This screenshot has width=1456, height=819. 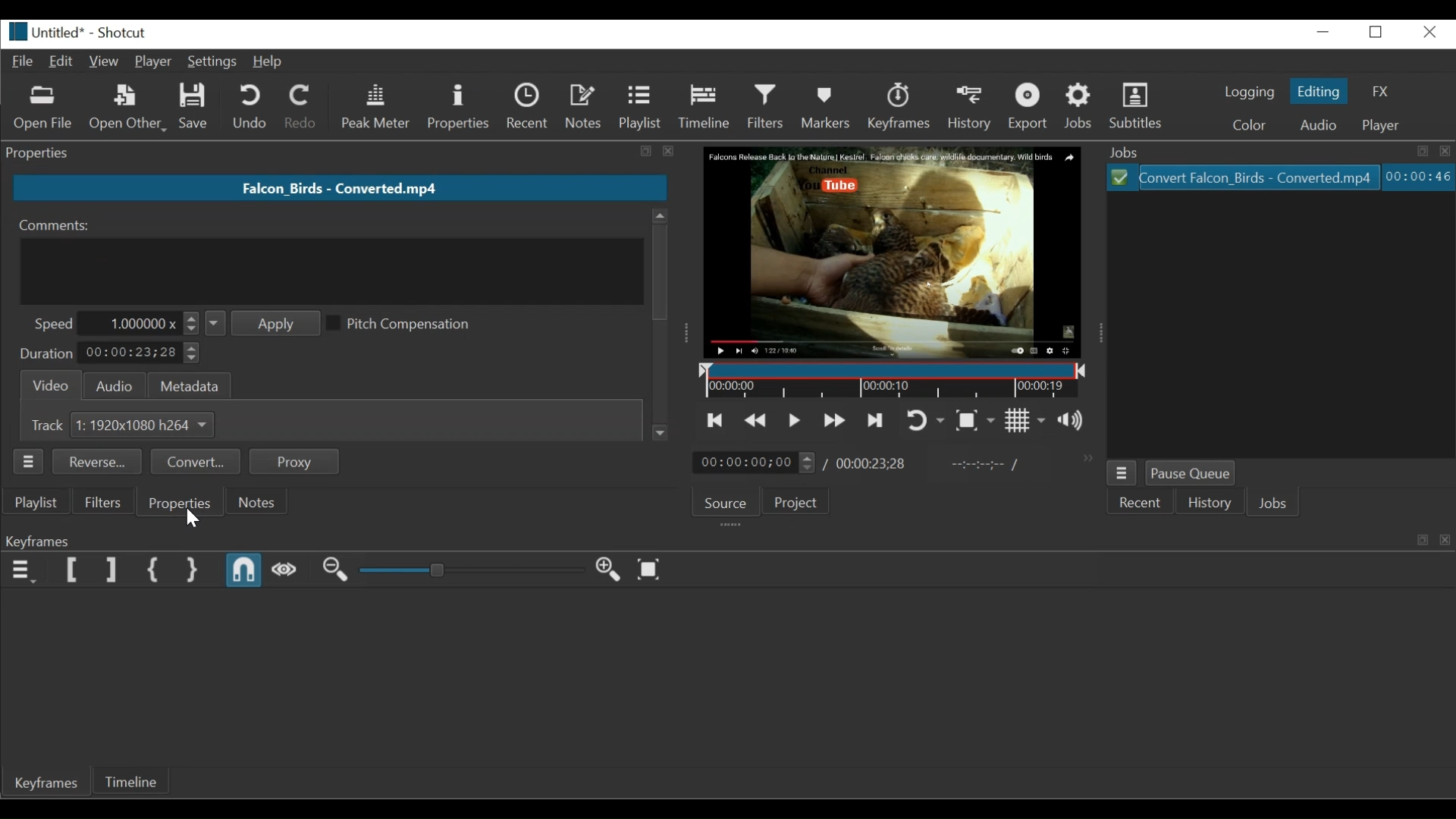 What do you see at coordinates (1376, 33) in the screenshot?
I see `Restore` at bounding box center [1376, 33].